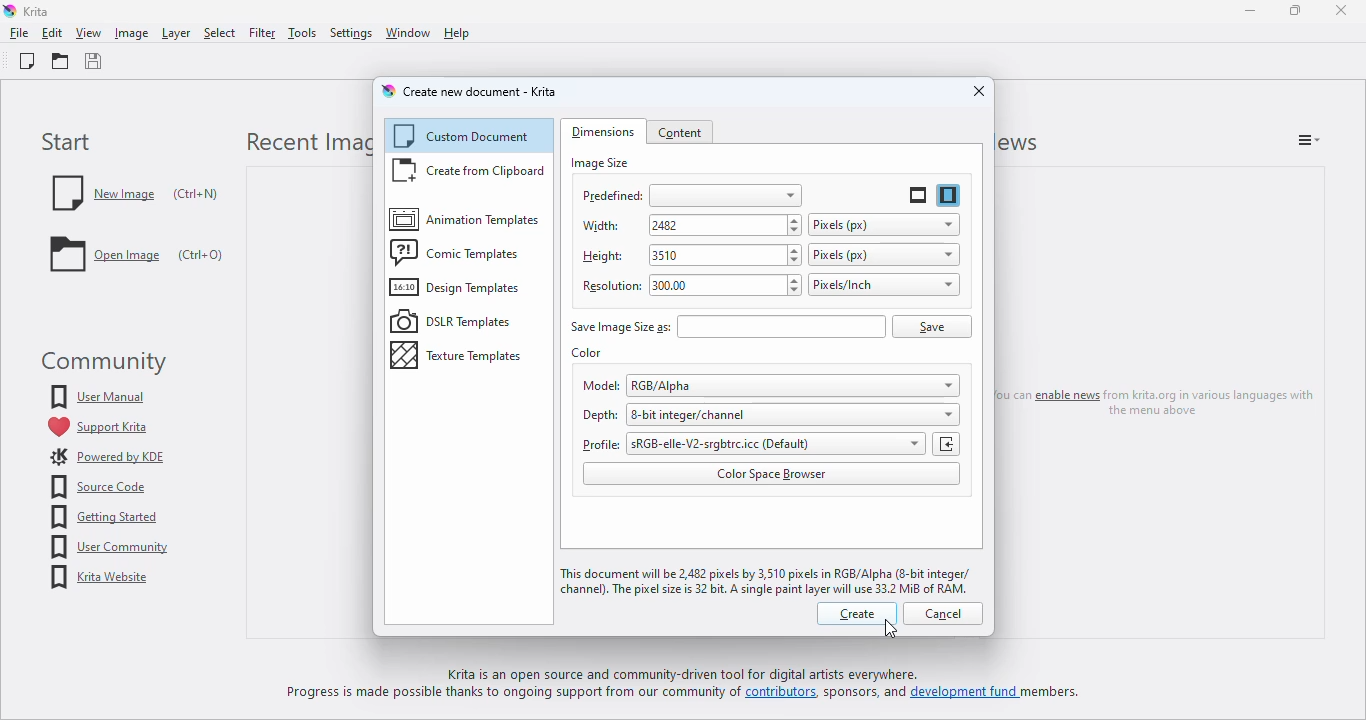 This screenshot has width=1366, height=720. I want to click on New image (Ctrl+N), so click(136, 192).